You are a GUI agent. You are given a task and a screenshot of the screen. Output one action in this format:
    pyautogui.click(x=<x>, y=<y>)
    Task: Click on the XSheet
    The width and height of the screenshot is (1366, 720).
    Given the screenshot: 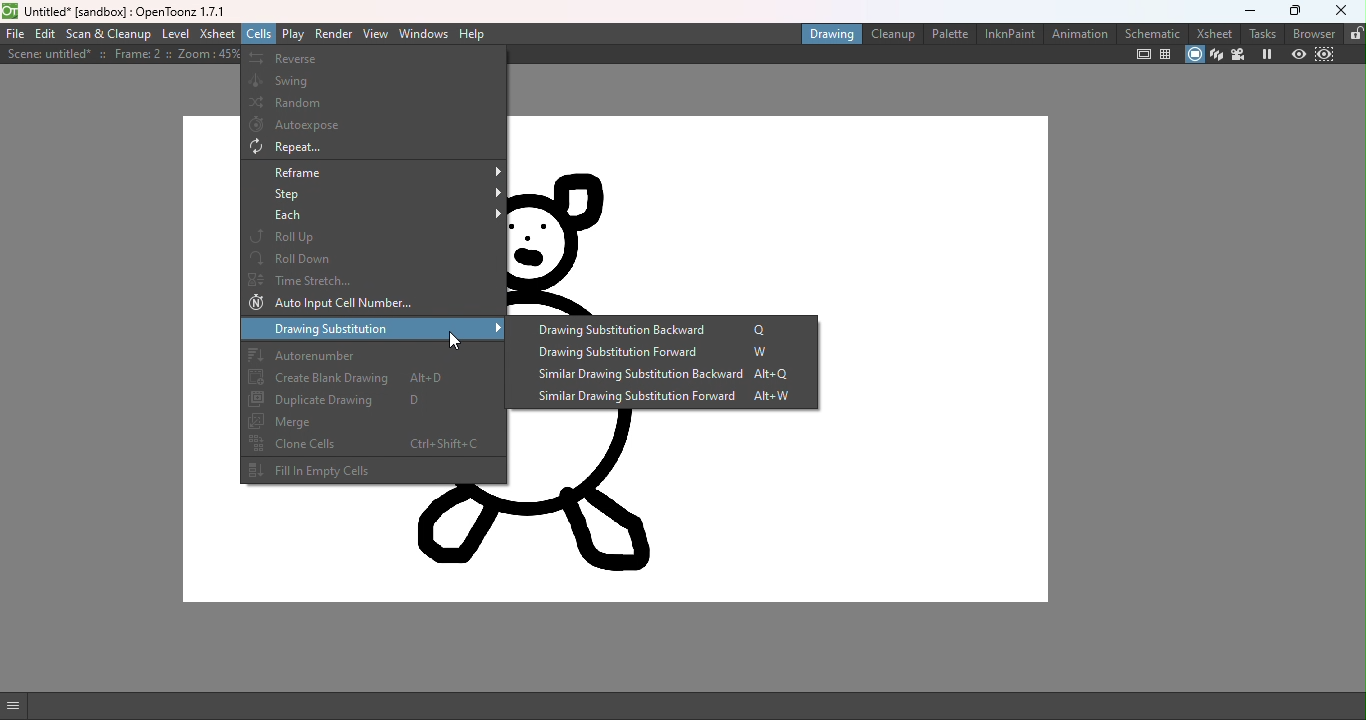 What is the action you would take?
    pyautogui.click(x=215, y=33)
    